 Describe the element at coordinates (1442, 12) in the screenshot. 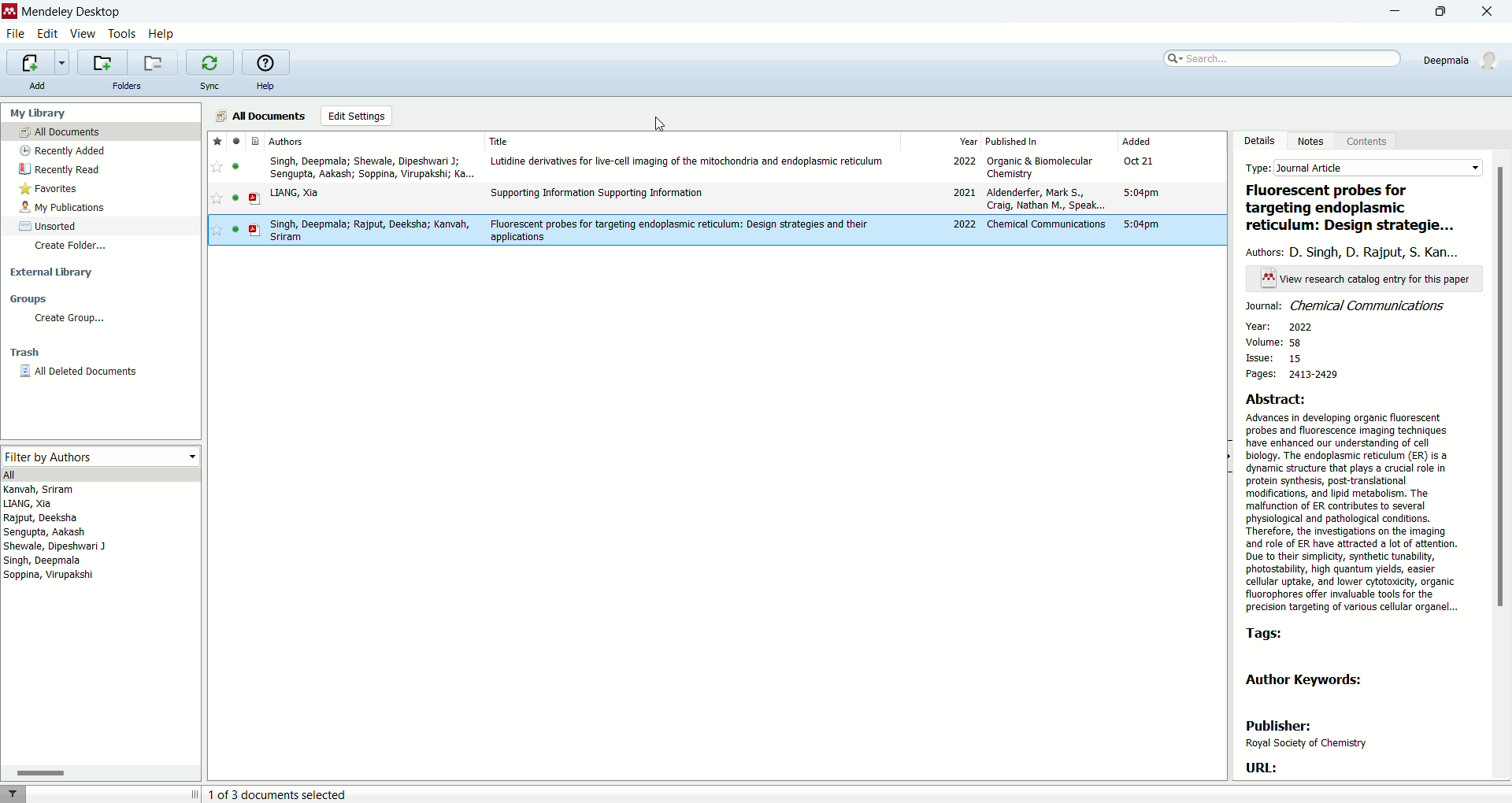

I see `maximize` at that location.